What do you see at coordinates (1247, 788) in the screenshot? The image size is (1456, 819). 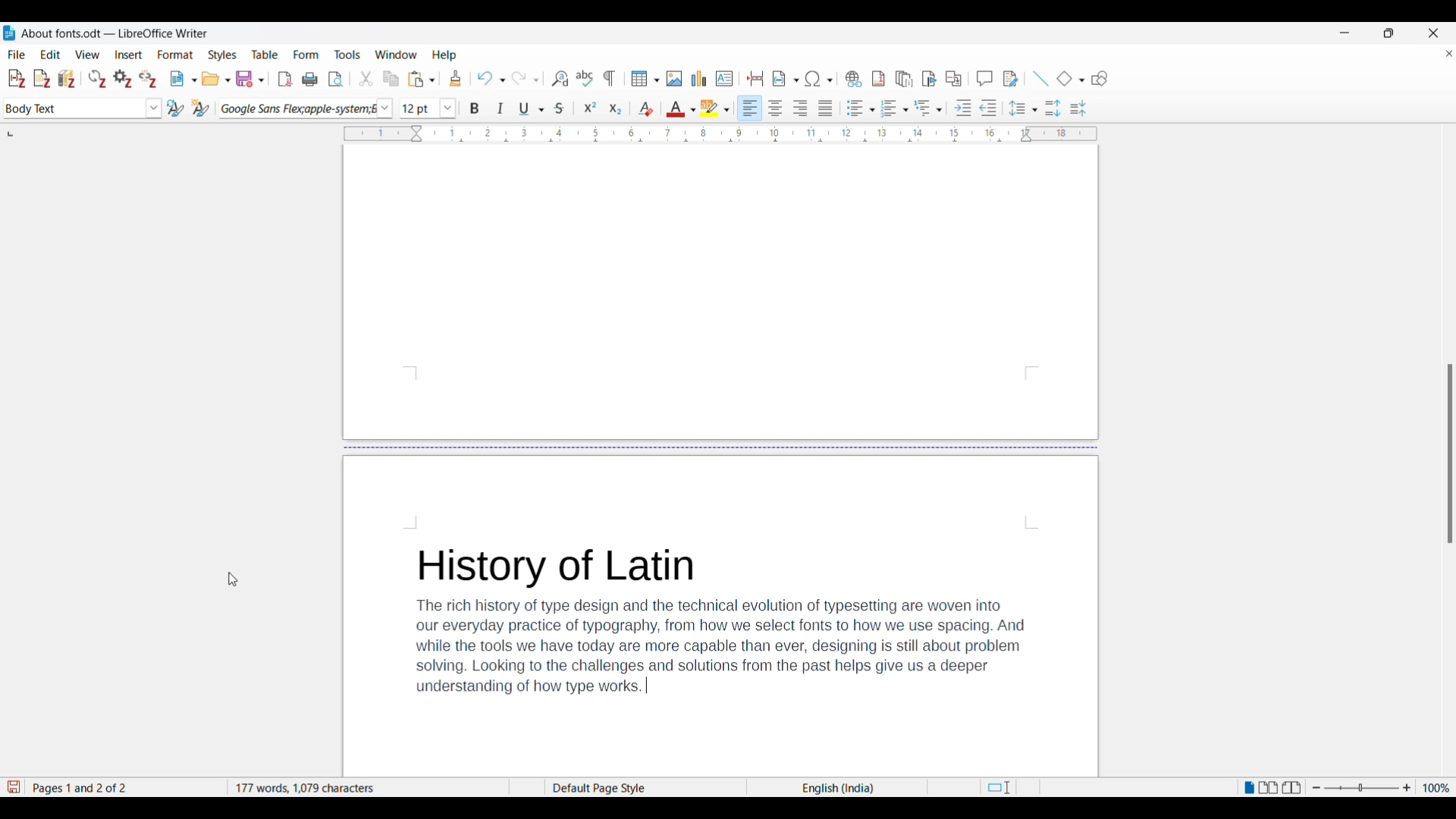 I see `Single page view` at bounding box center [1247, 788].